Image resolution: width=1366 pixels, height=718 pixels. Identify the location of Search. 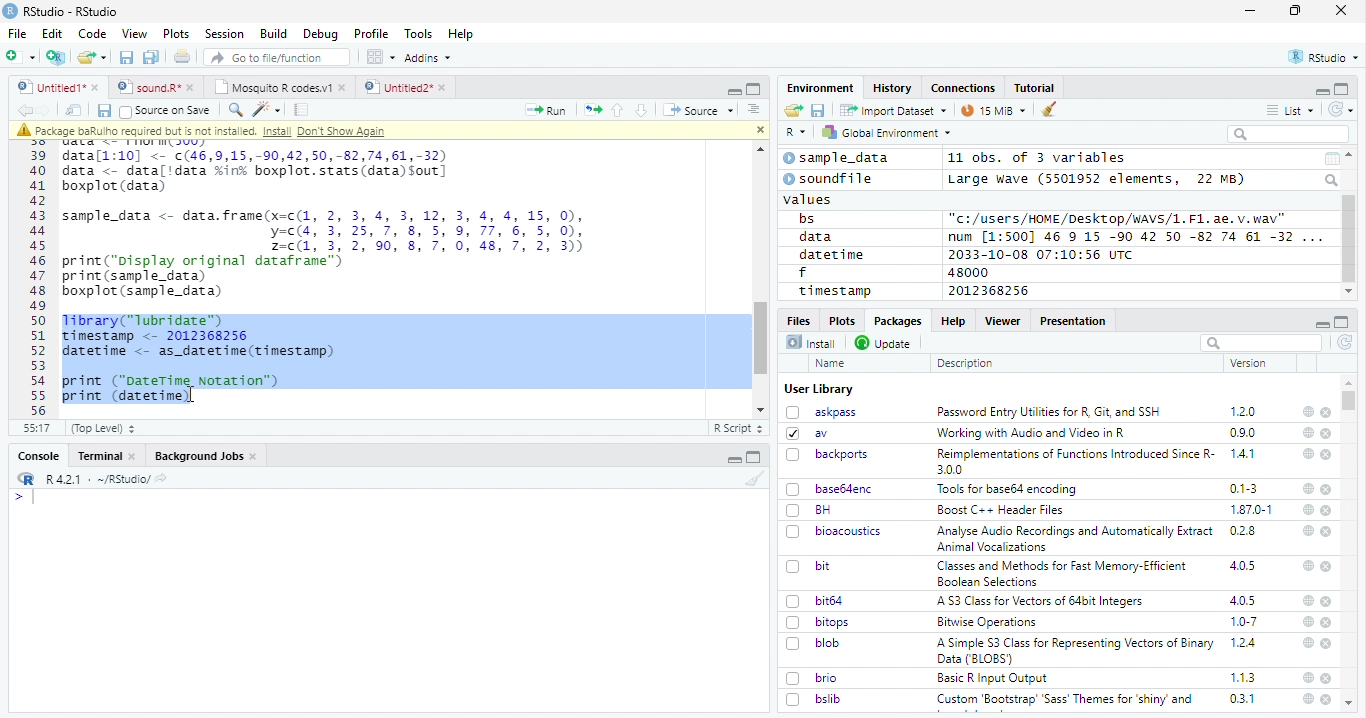
(1333, 180).